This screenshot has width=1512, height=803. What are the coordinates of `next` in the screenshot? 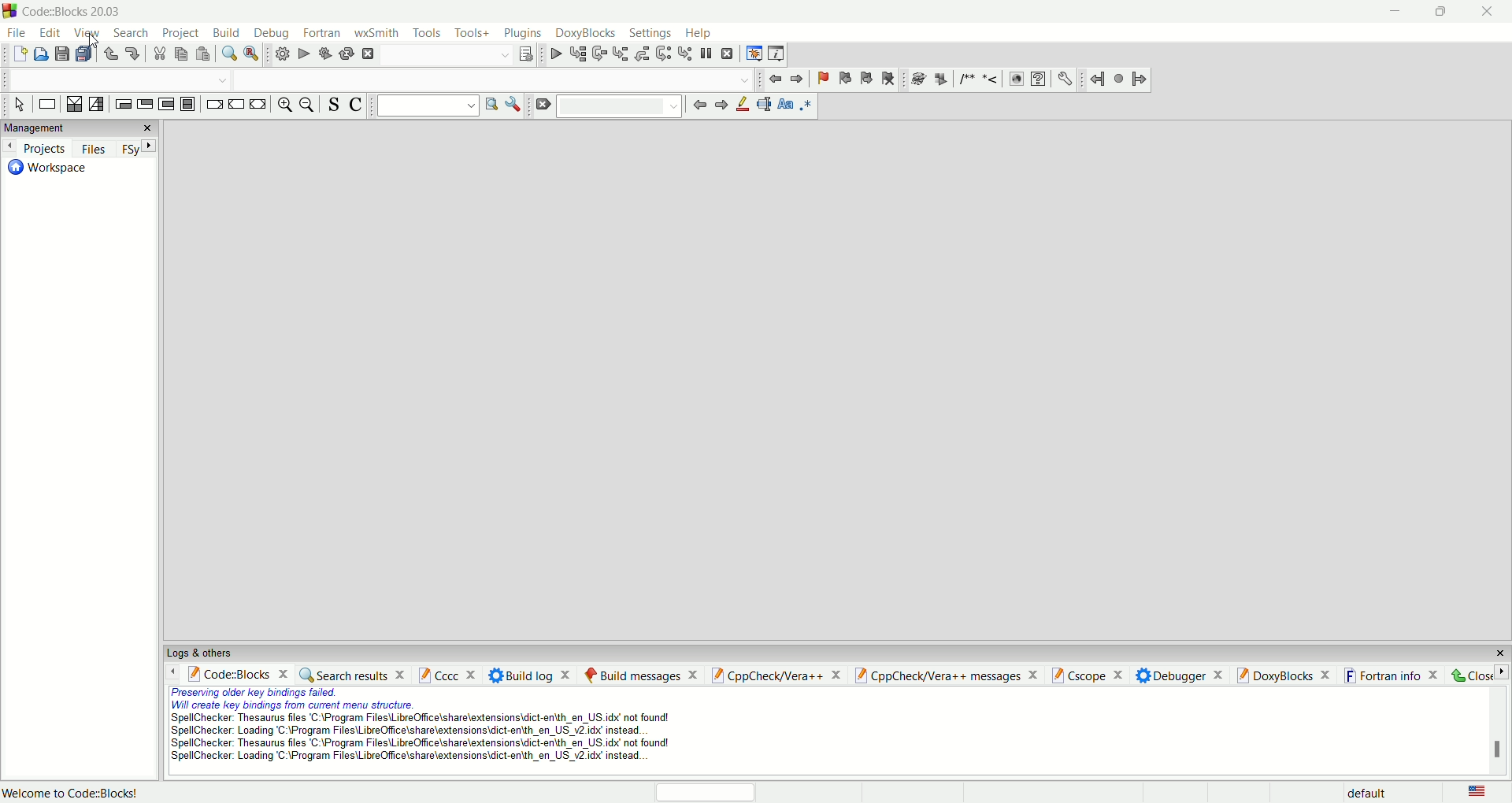 It's located at (147, 147).